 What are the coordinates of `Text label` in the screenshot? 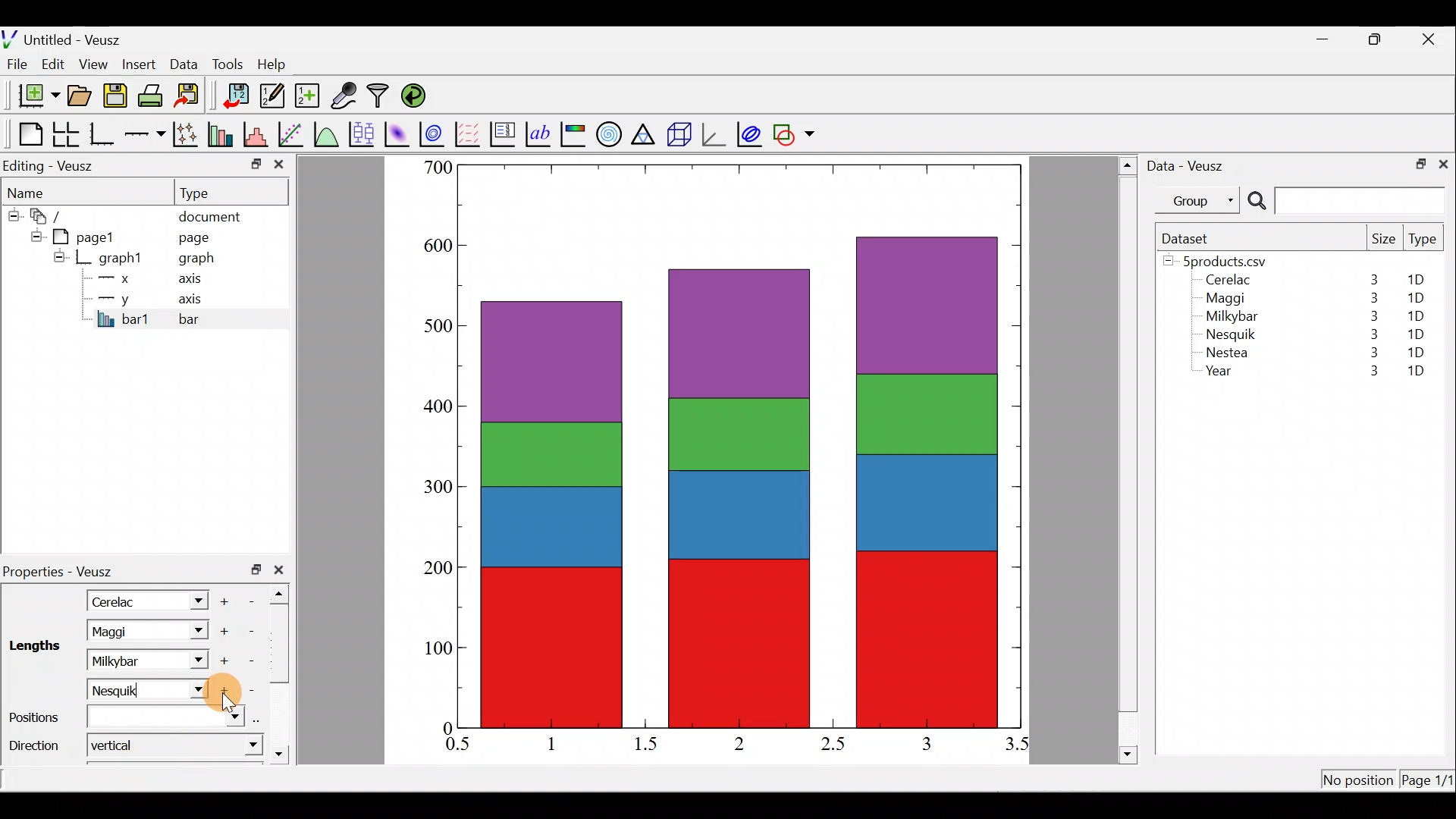 It's located at (540, 132).